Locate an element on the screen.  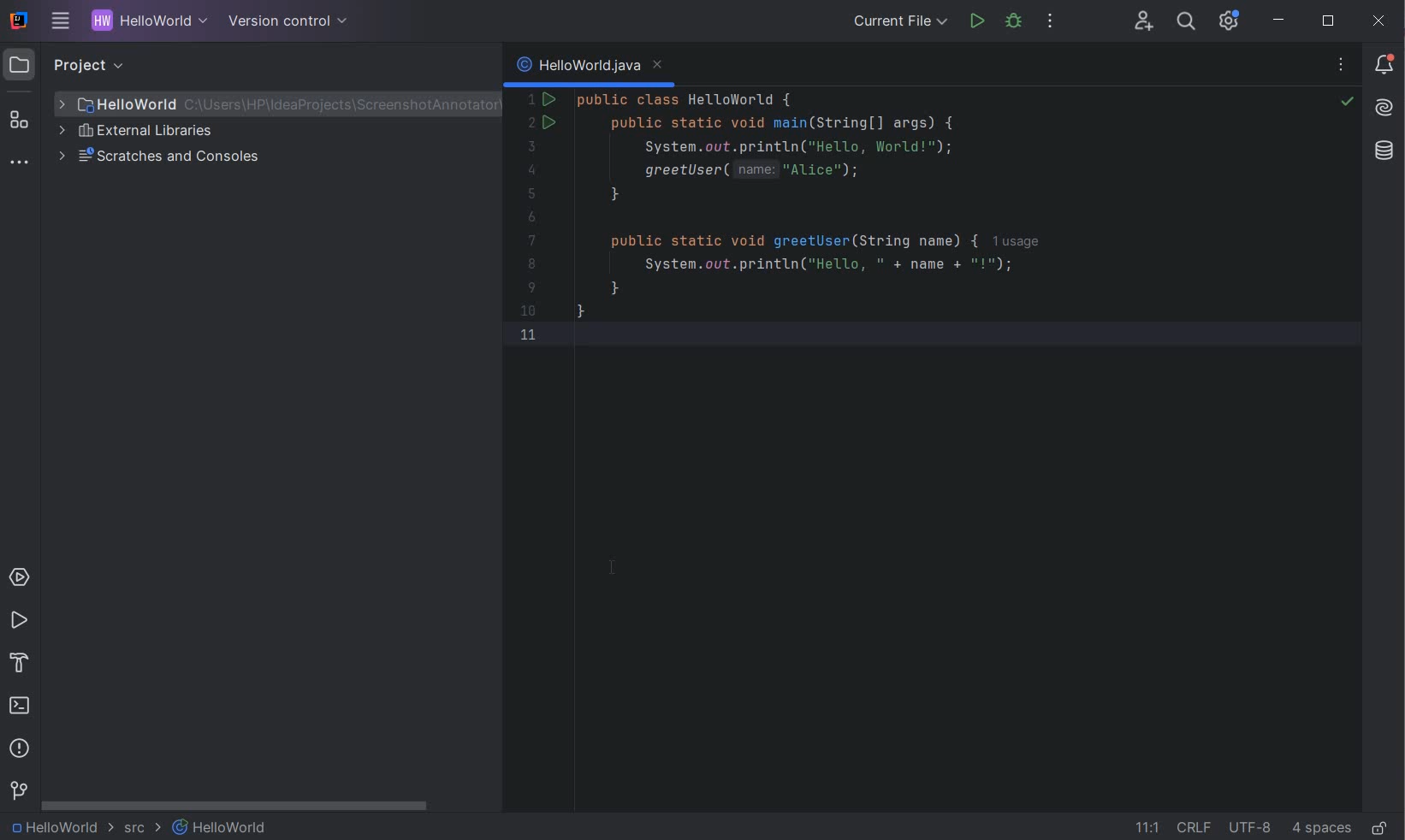
VERSION CONTROL is located at coordinates (18, 790).